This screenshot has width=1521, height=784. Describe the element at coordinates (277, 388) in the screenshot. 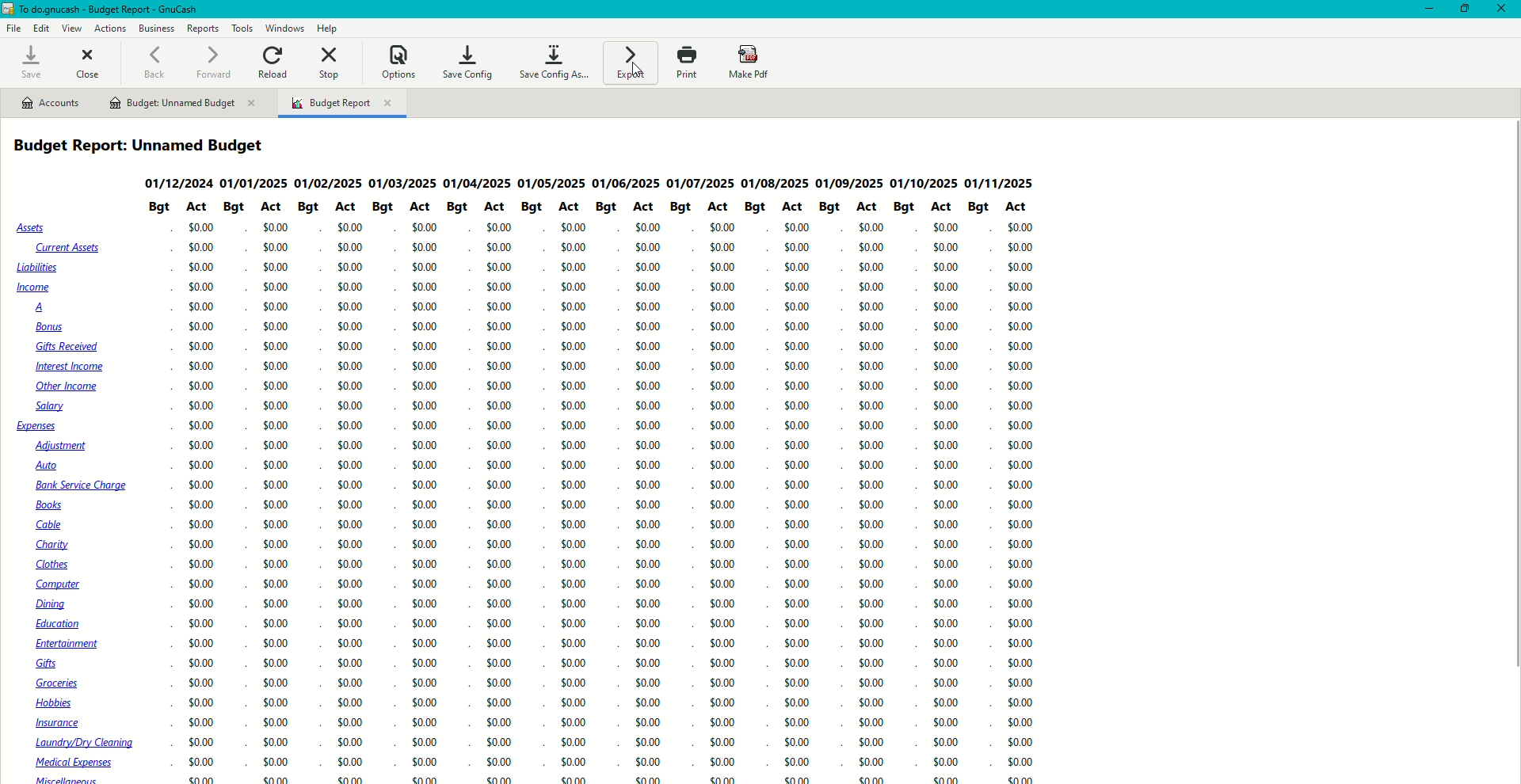

I see `0.00` at that location.